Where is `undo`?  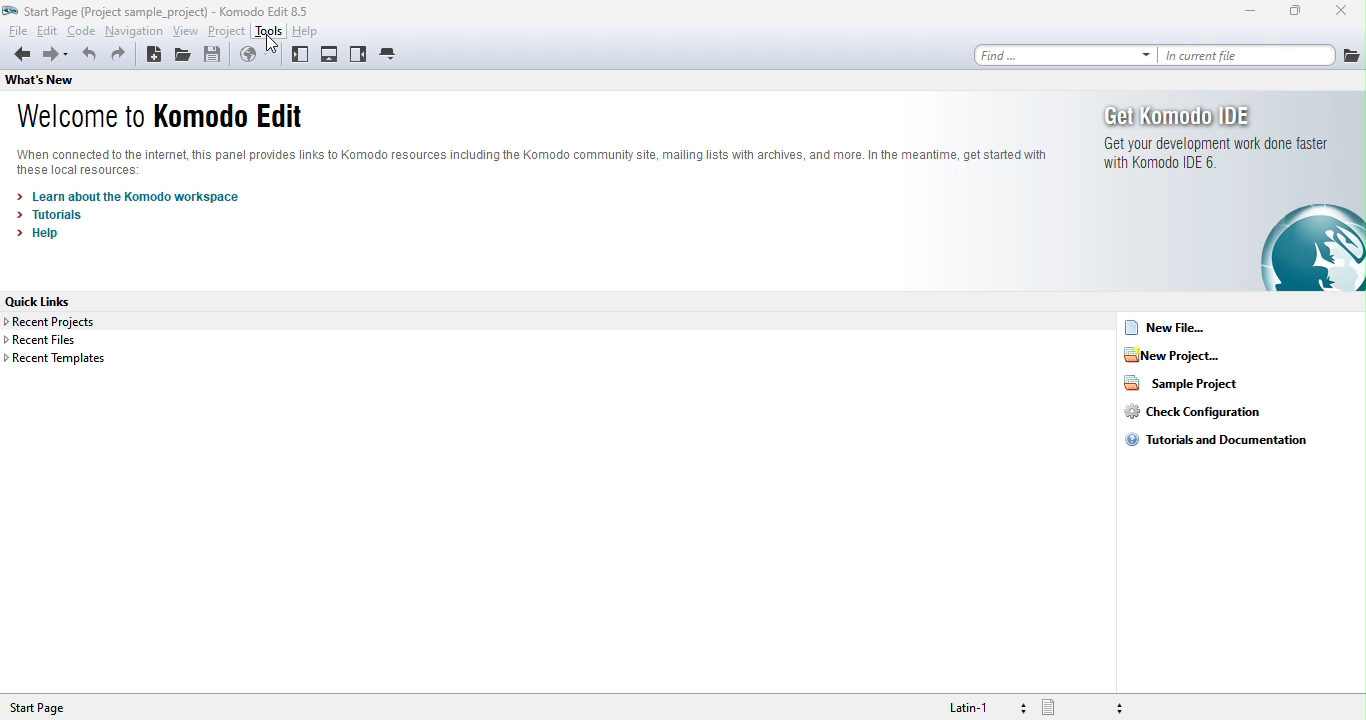 undo is located at coordinates (87, 57).